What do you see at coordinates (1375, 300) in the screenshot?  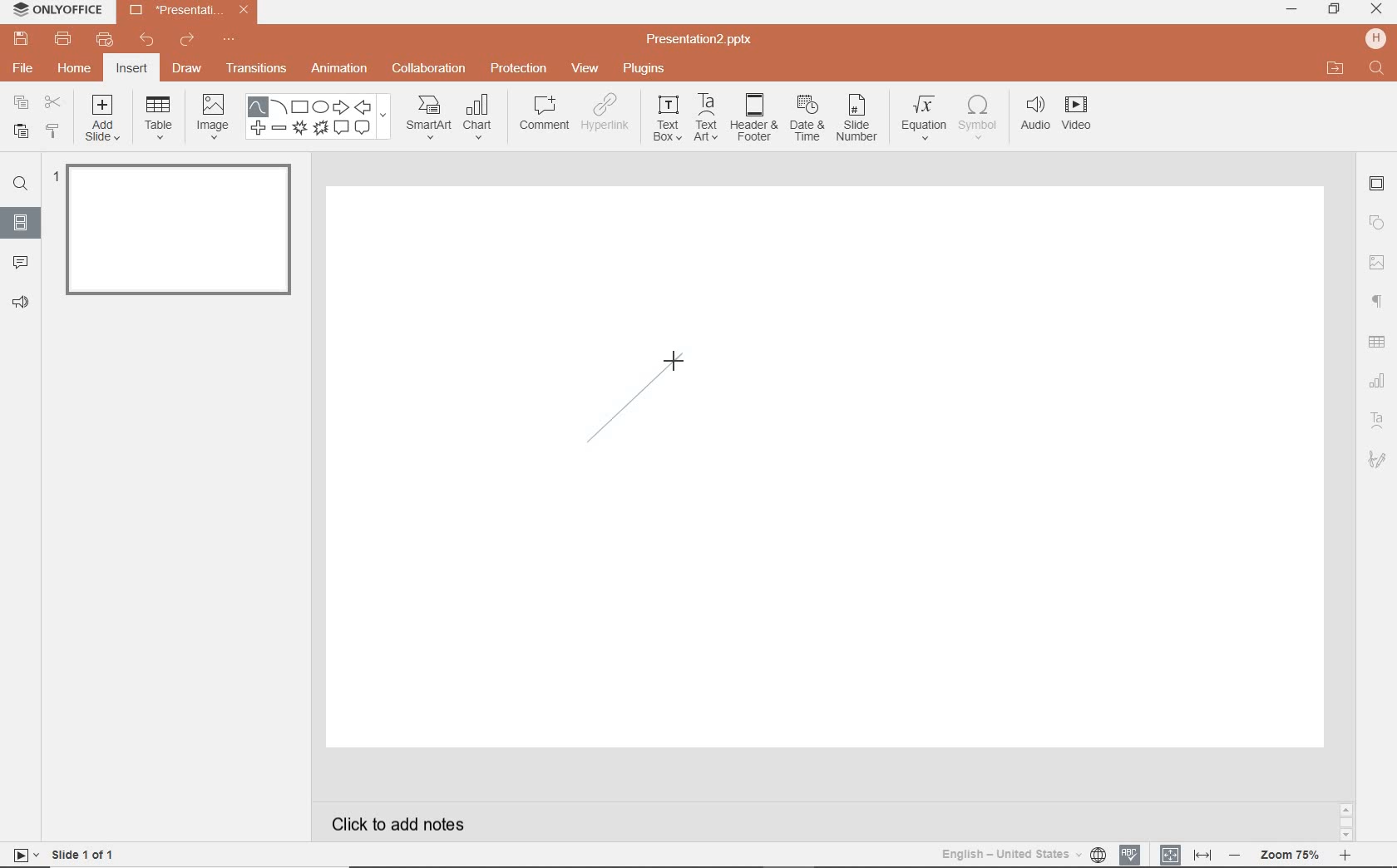 I see `PARAGRAPH SETTINGS` at bounding box center [1375, 300].